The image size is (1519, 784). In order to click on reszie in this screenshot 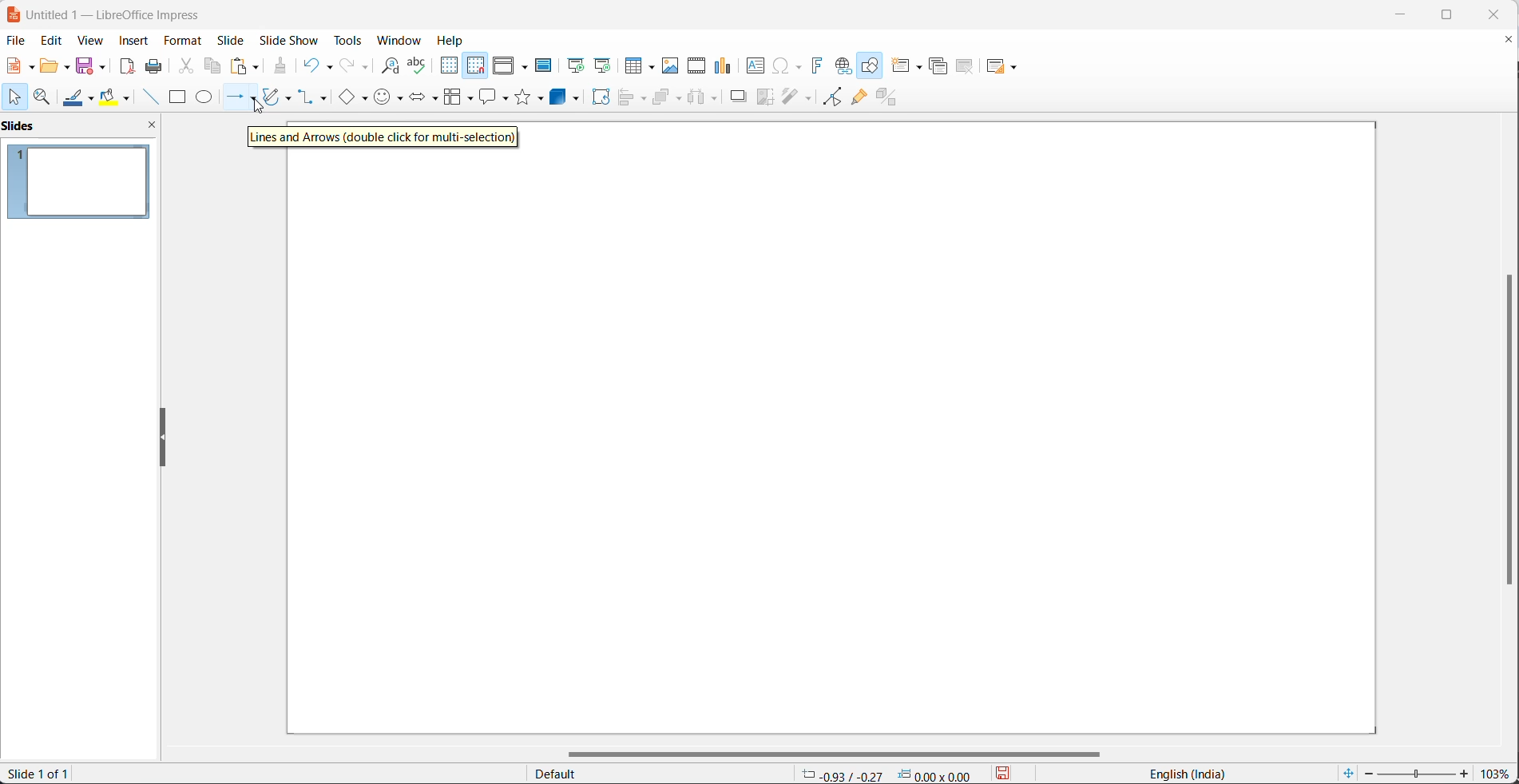, I will do `click(160, 438)`.